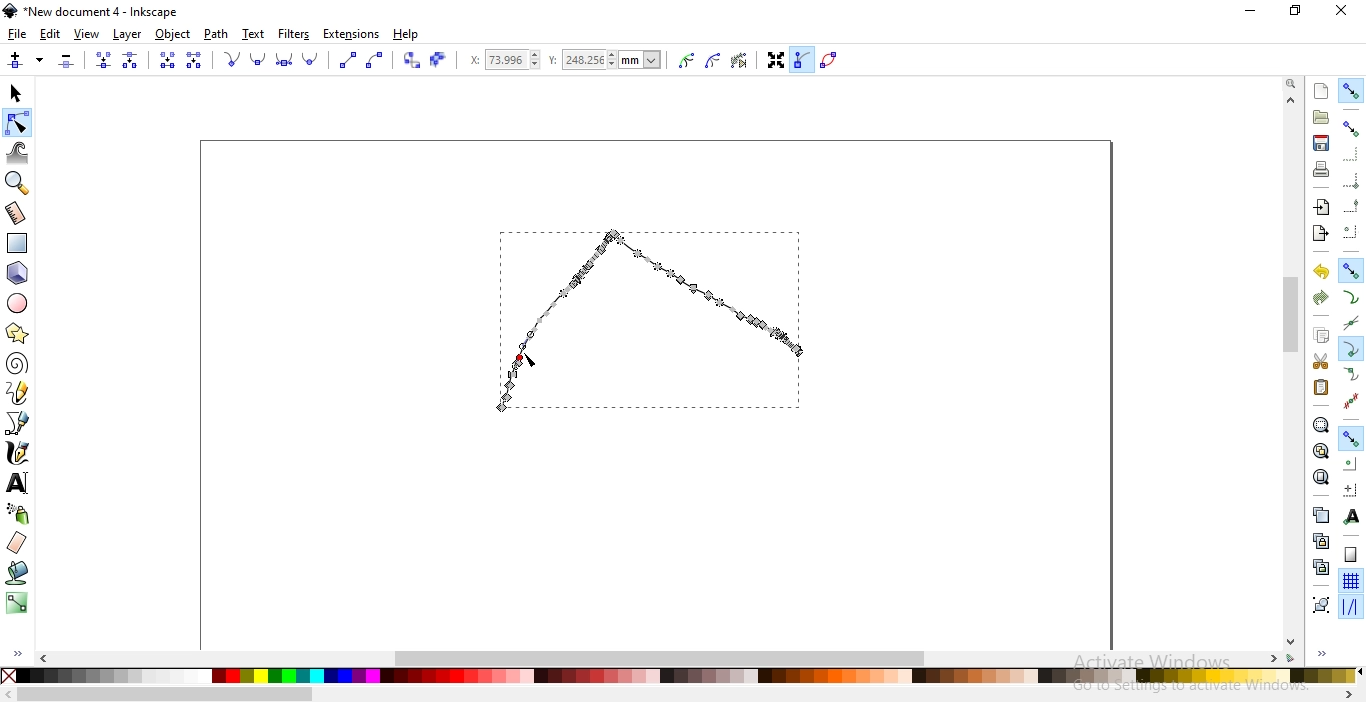 Image resolution: width=1366 pixels, height=702 pixels. I want to click on select and transform objects, so click(18, 94).